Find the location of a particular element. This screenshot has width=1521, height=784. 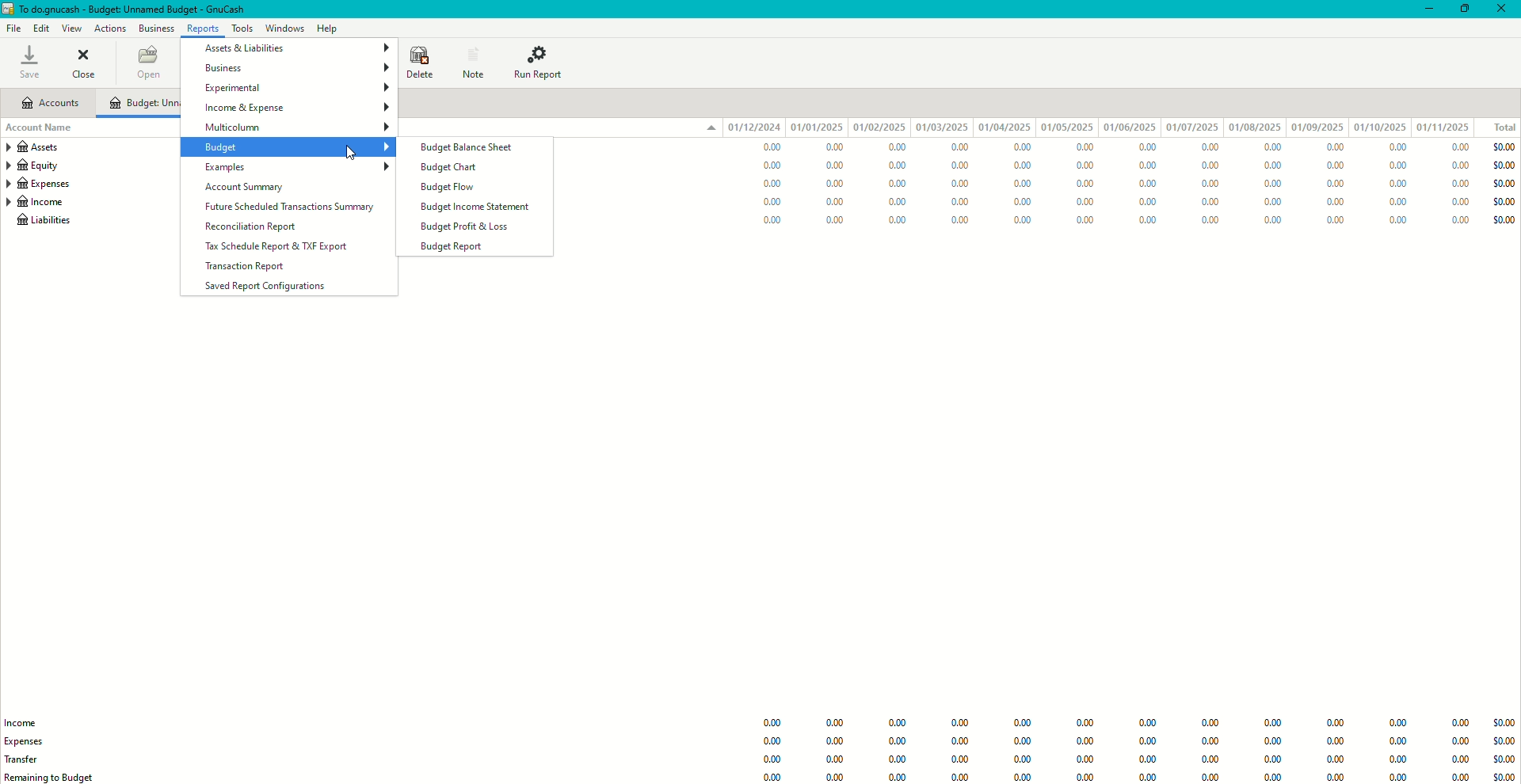

0.00 is located at coordinates (1332, 744).